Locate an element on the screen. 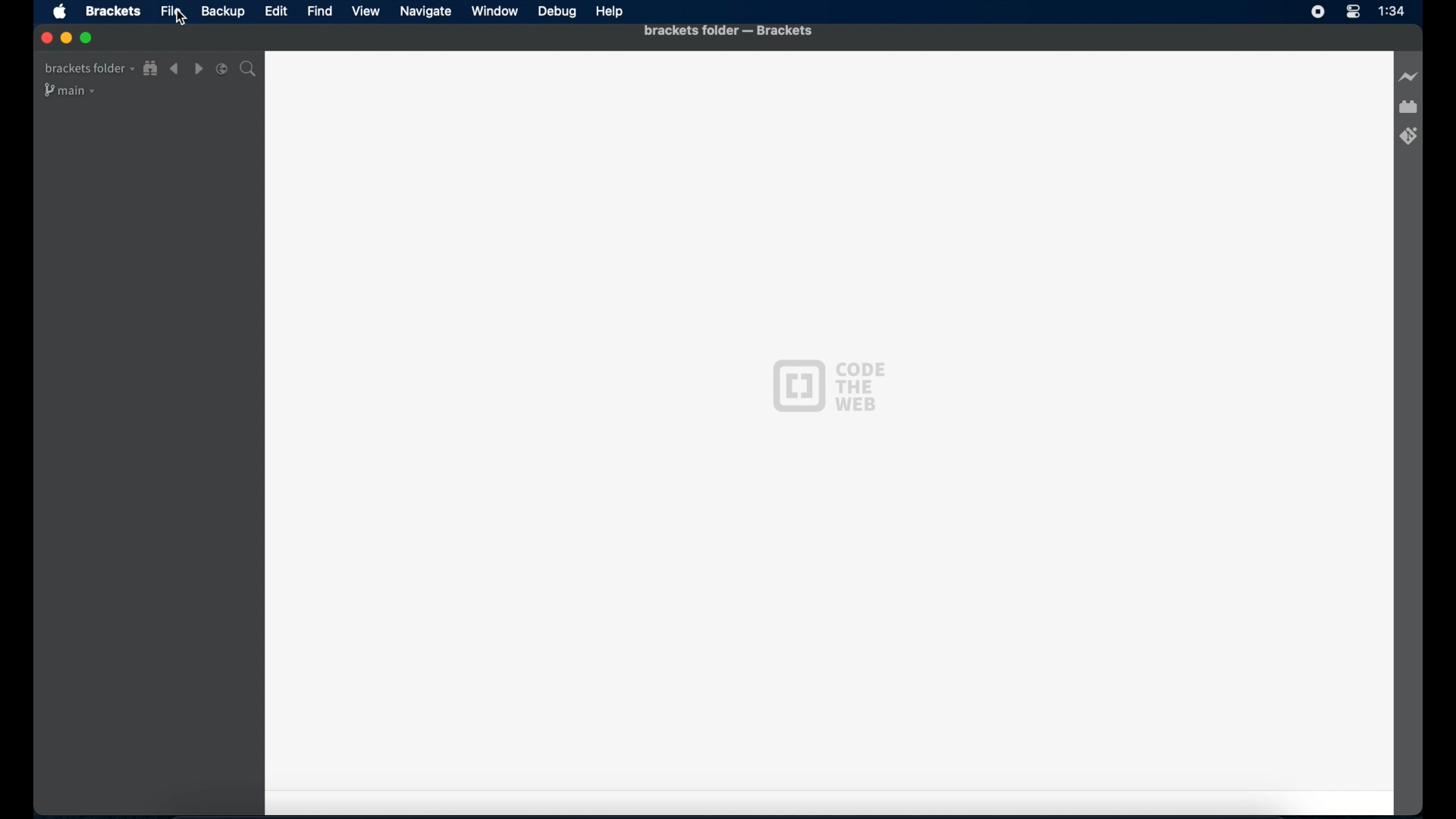  Close is located at coordinates (45, 38).